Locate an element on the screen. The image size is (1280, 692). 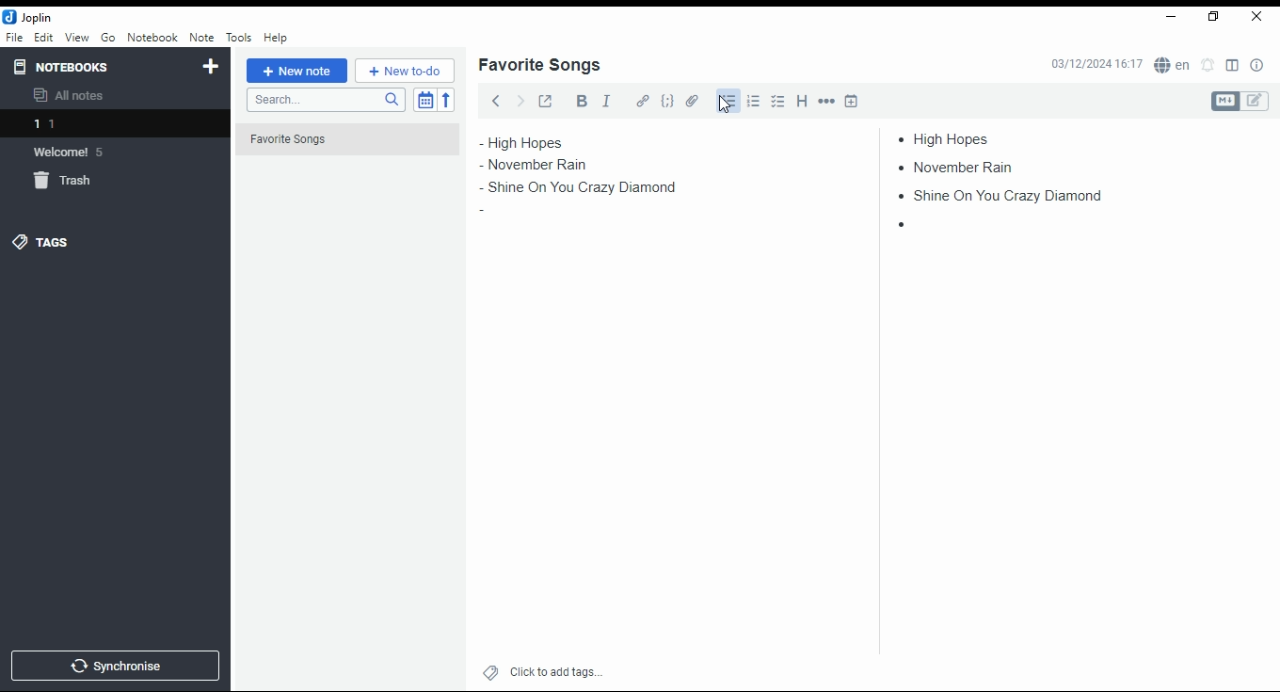
tools is located at coordinates (240, 38).